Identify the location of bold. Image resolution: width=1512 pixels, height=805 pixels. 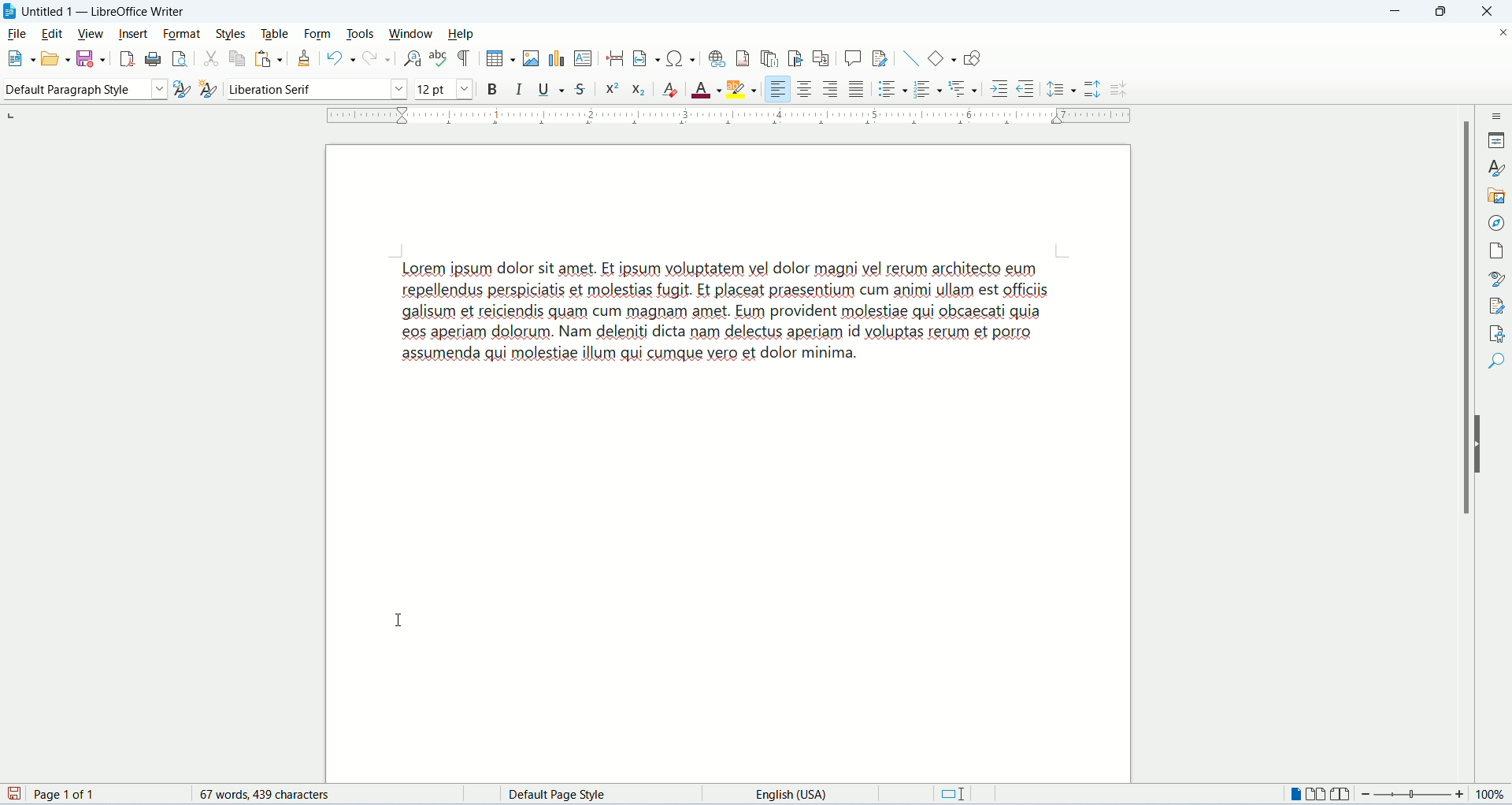
(489, 88).